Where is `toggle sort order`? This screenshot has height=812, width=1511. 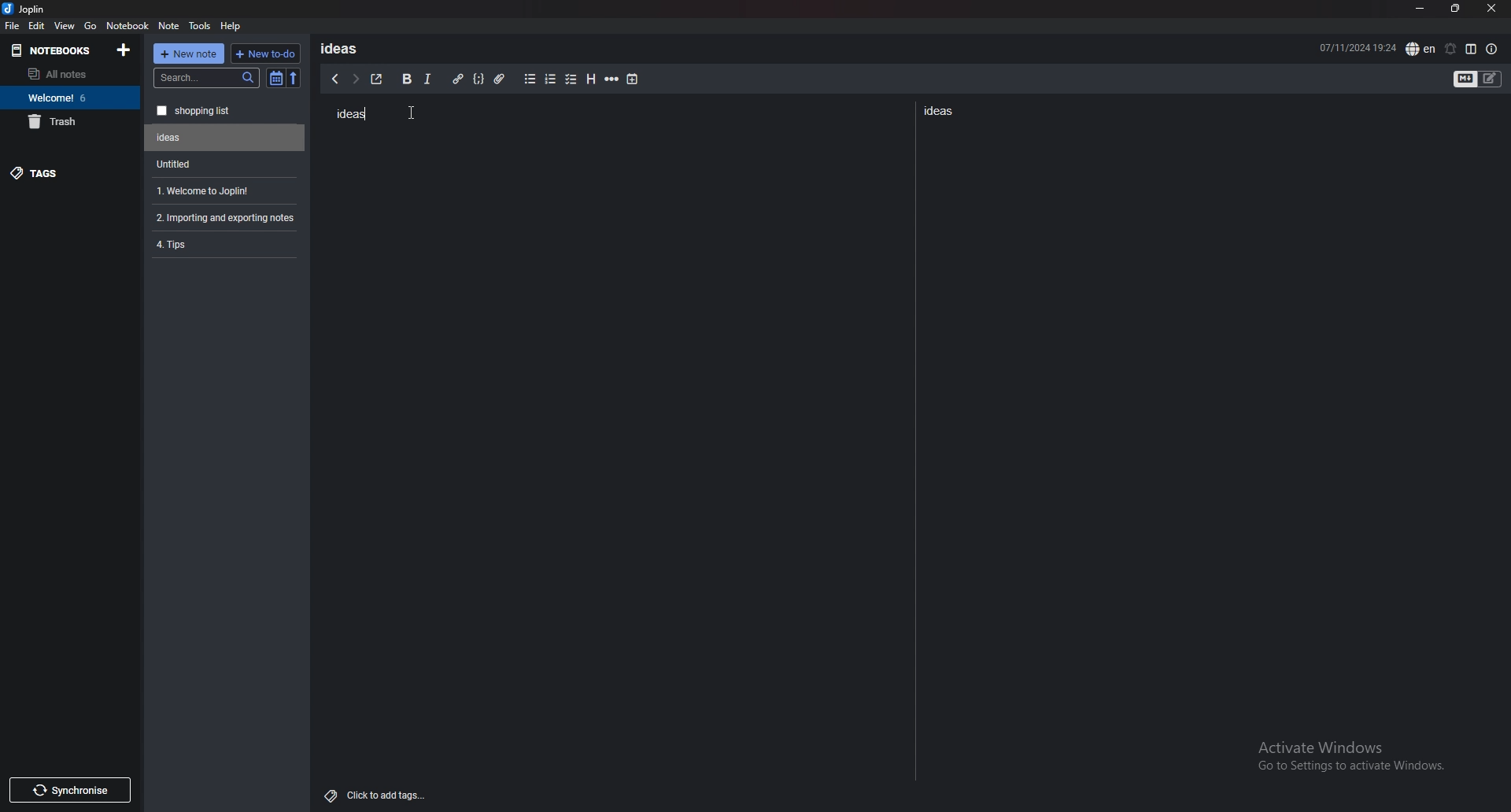 toggle sort order is located at coordinates (276, 79).